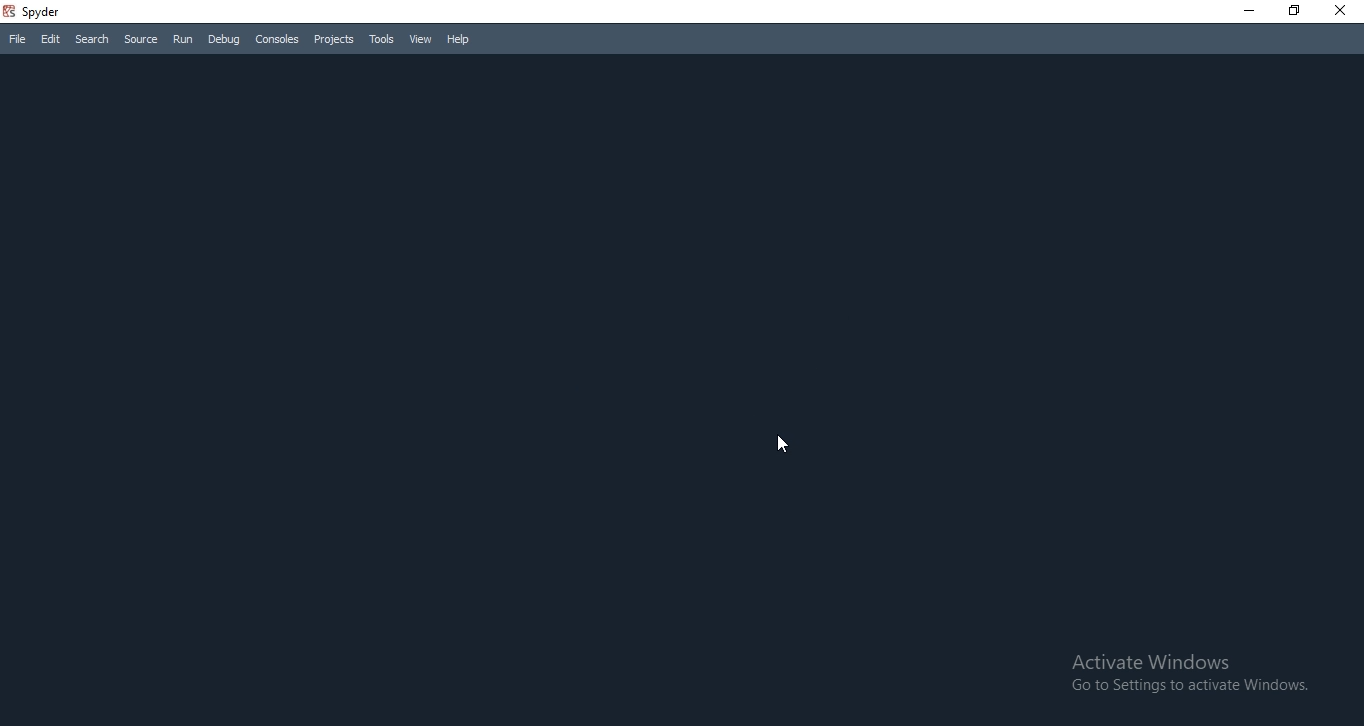  I want to click on Search, so click(93, 37).